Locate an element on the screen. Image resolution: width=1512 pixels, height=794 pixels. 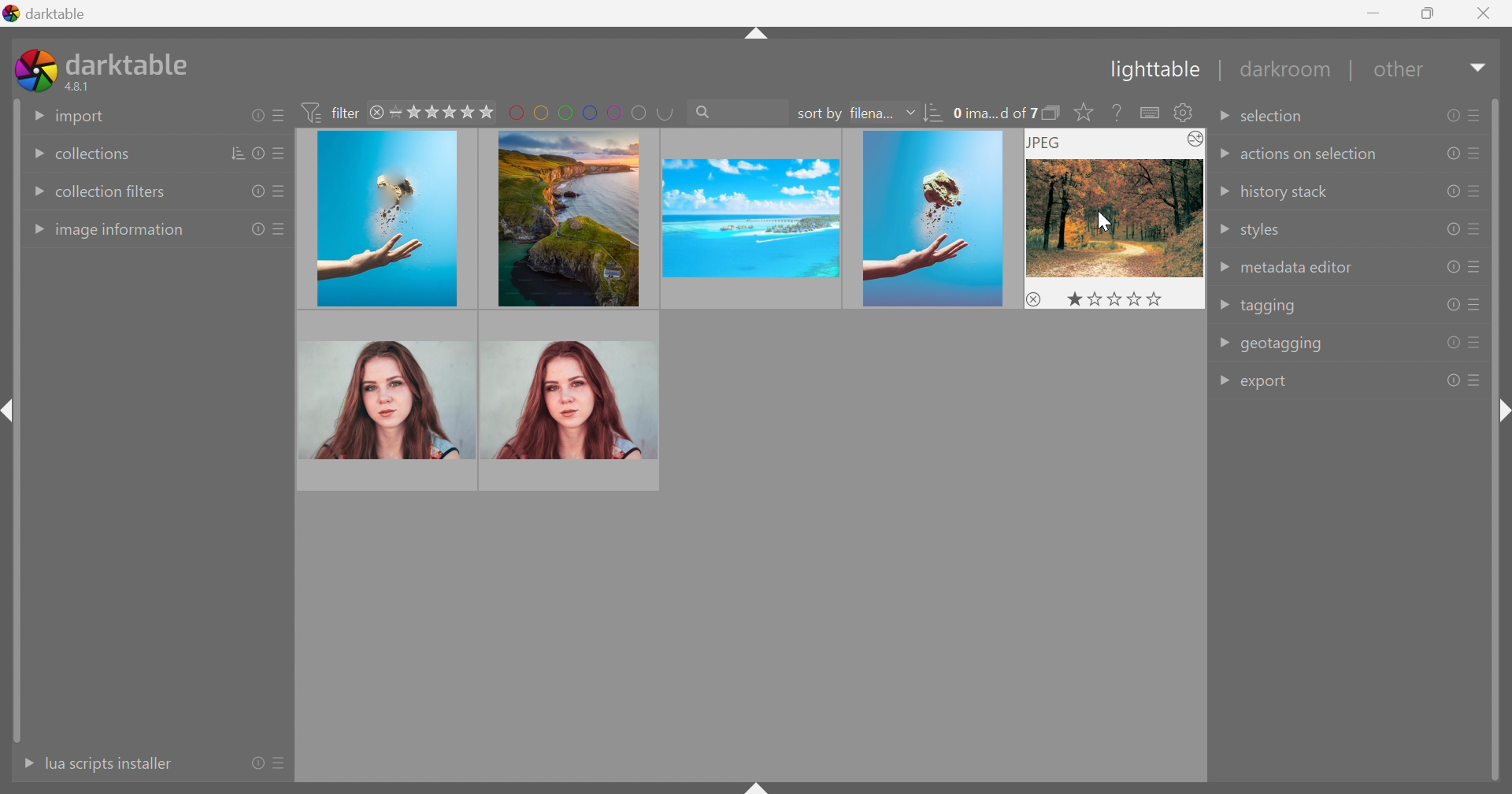
Restore Down is located at coordinates (1429, 11).